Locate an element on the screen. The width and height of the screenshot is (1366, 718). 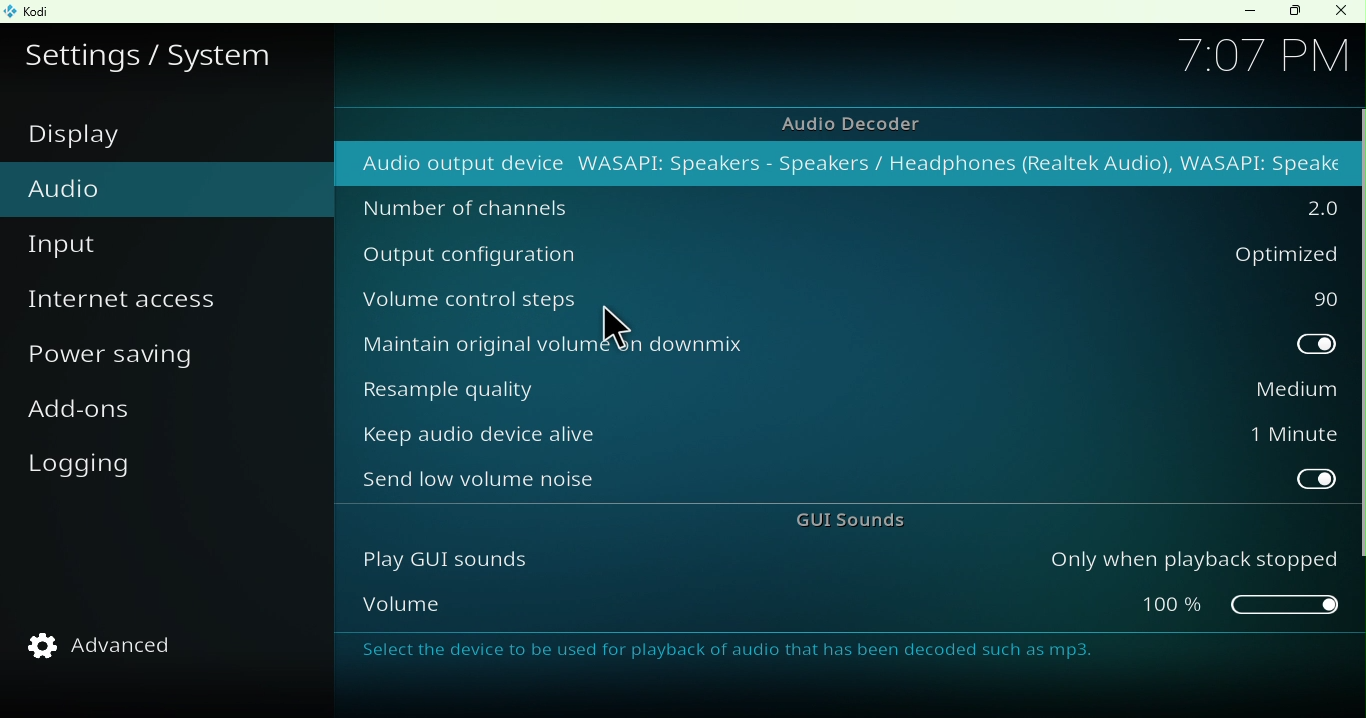
vertical scroll bar is located at coordinates (1357, 335).